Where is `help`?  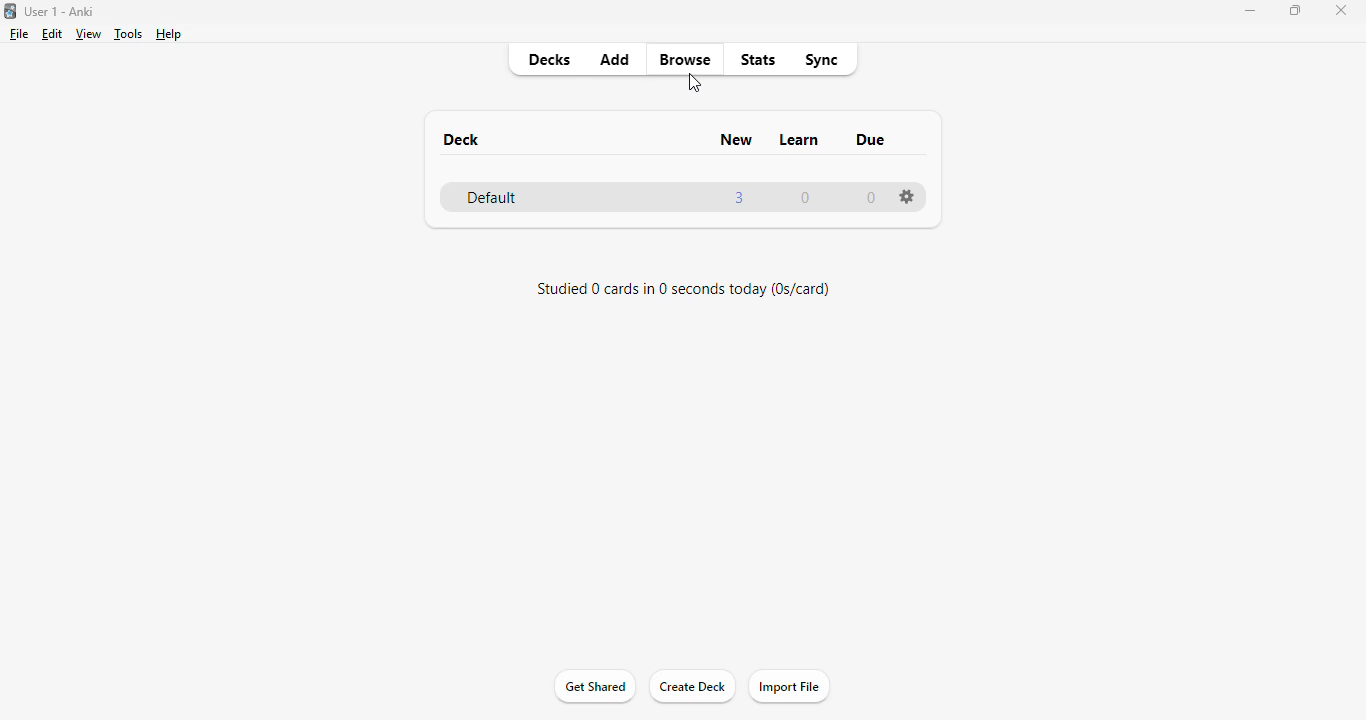 help is located at coordinates (169, 35).